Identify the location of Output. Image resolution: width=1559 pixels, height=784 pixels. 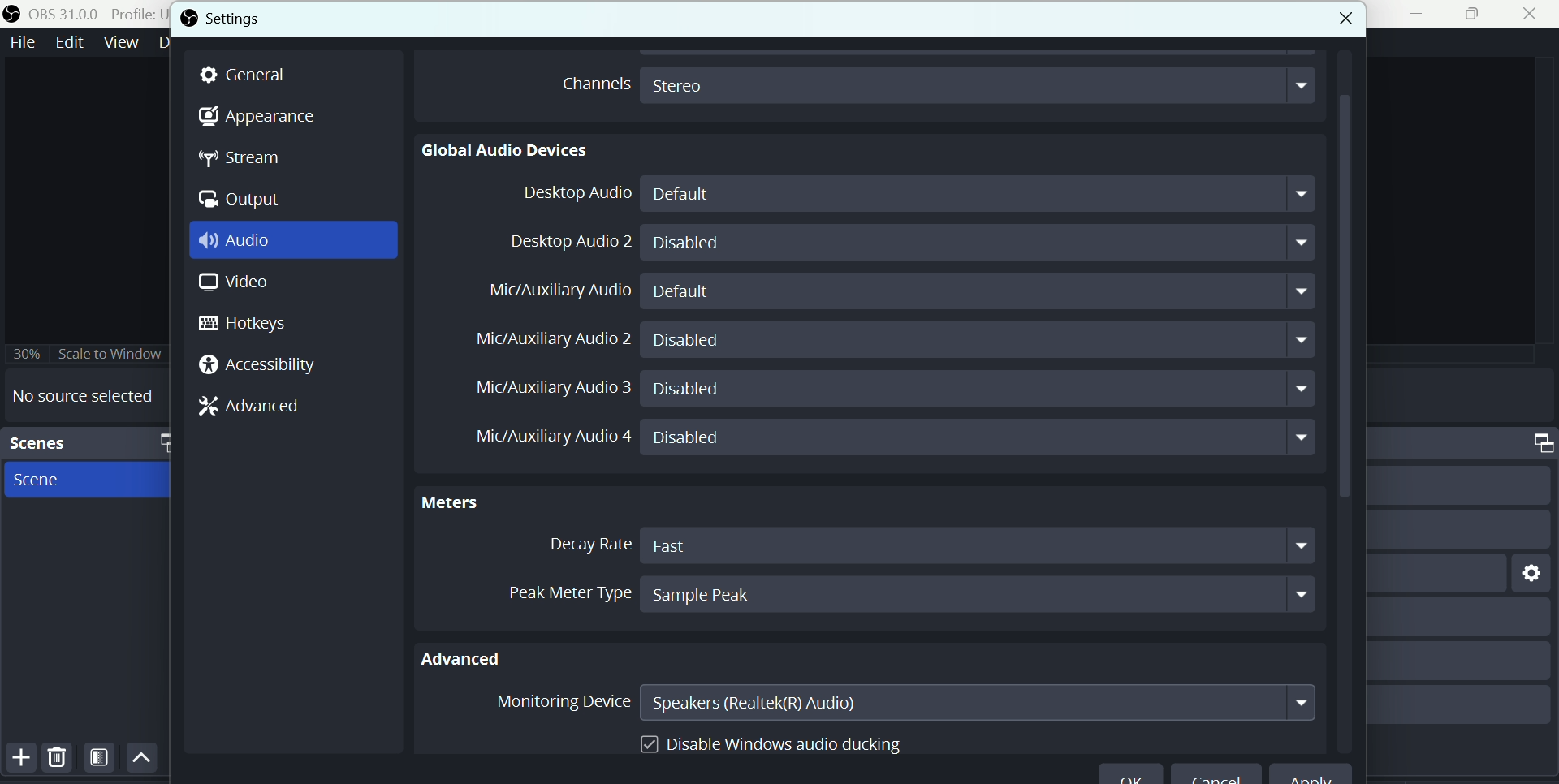
(243, 200).